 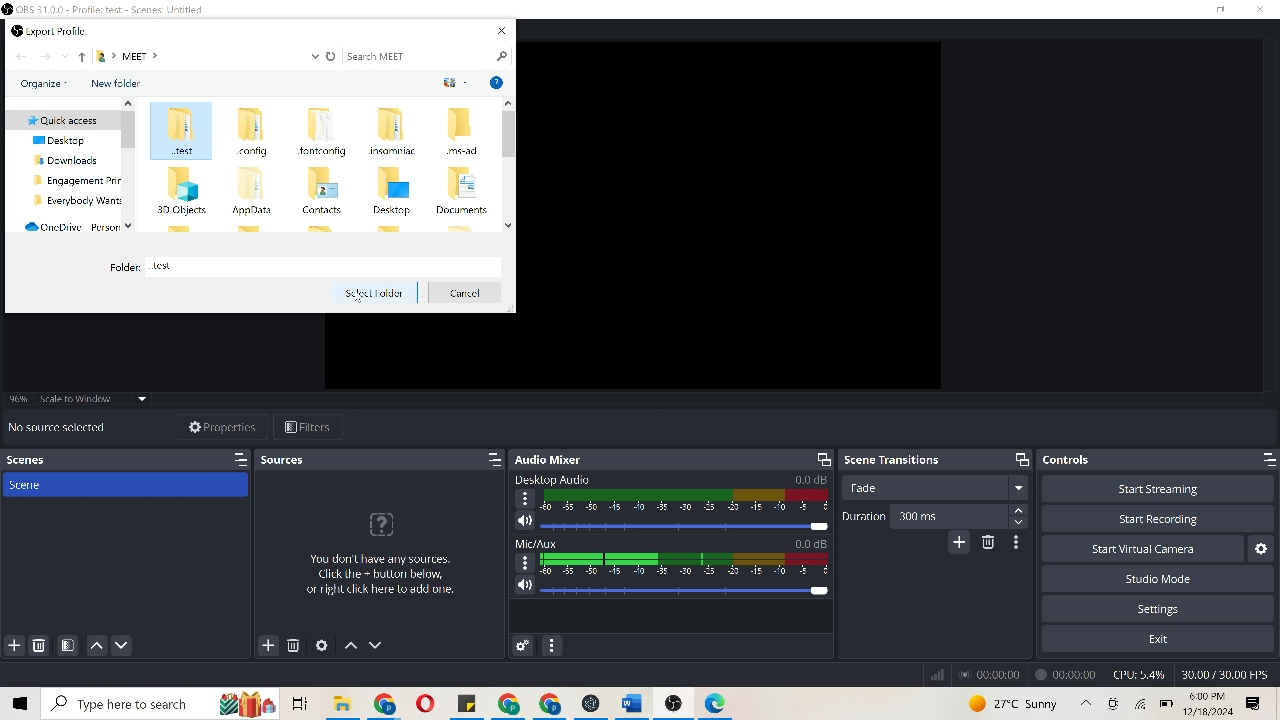 I want to click on select folder, so click(x=372, y=292).